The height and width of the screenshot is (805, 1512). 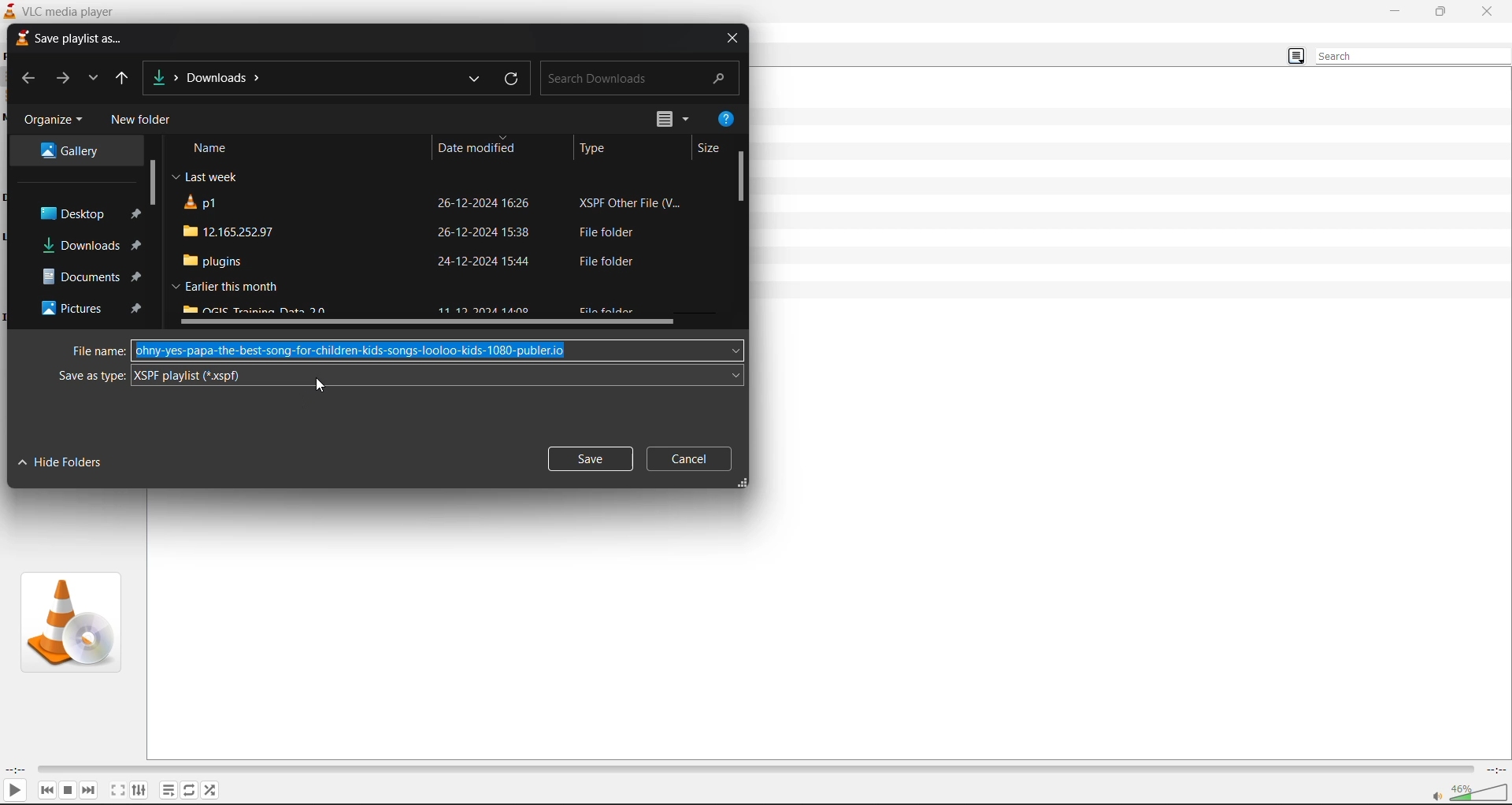 What do you see at coordinates (742, 176) in the screenshot?
I see `vertical scroll bar` at bounding box center [742, 176].